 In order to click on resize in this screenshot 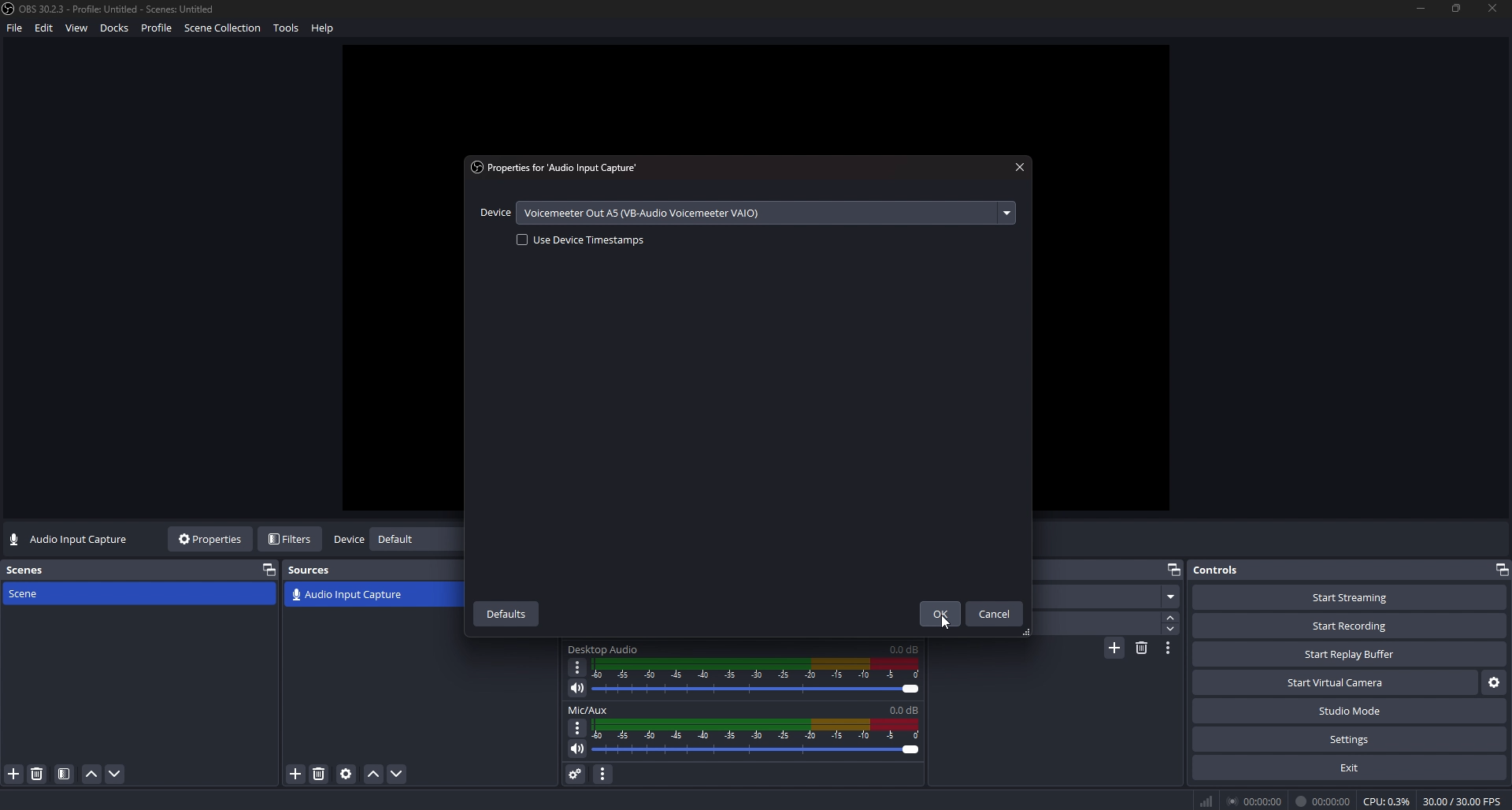, I will do `click(1458, 7)`.